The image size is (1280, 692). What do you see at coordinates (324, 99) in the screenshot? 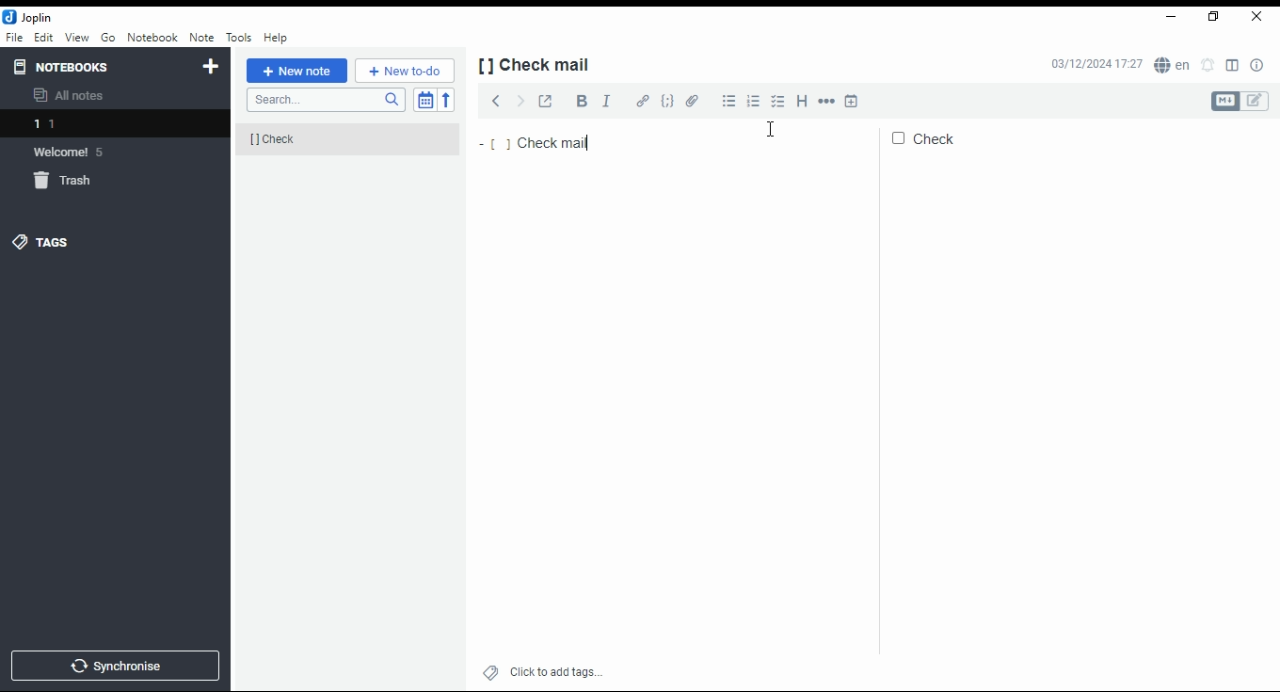
I see `search` at bounding box center [324, 99].